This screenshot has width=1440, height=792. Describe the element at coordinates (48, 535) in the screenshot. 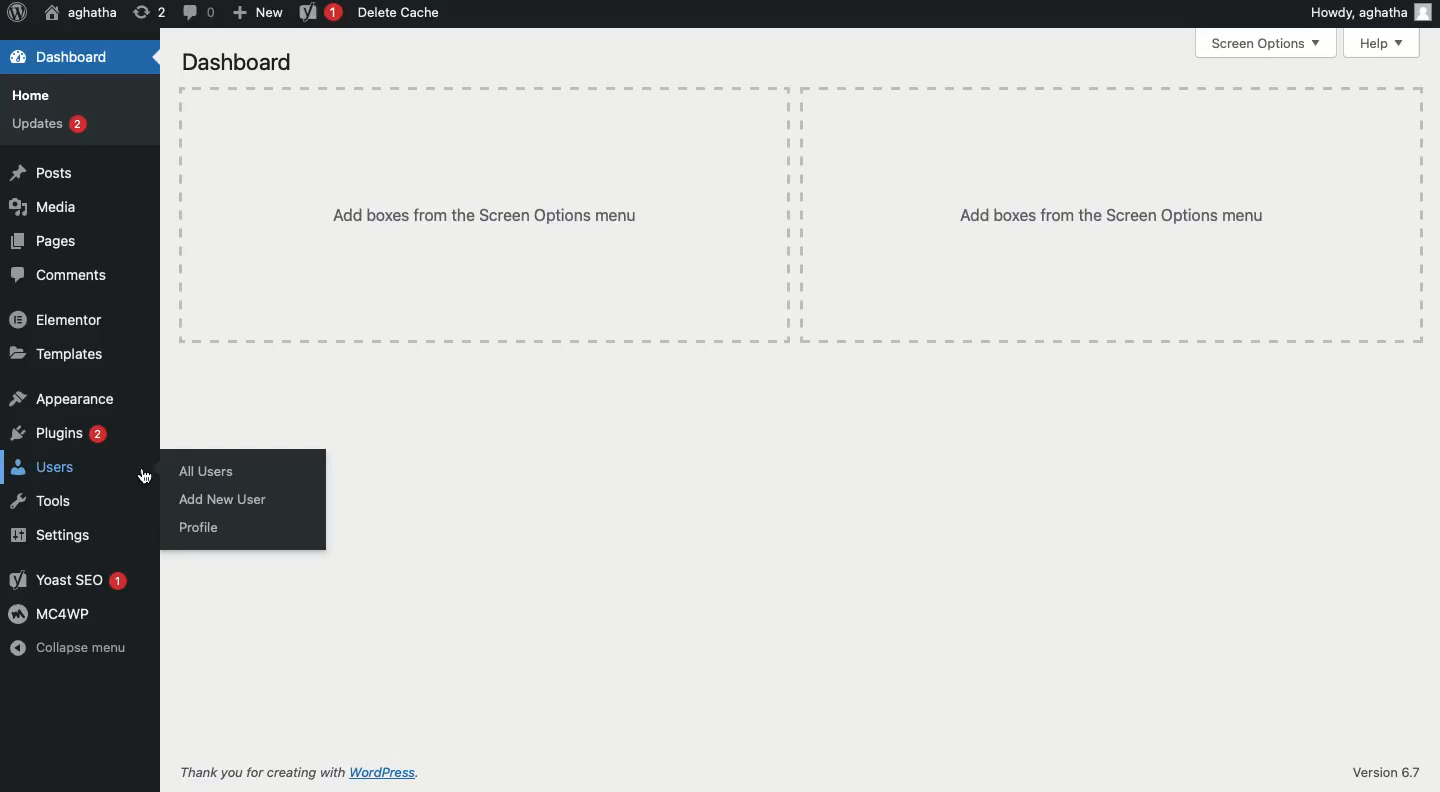

I see `Settings` at that location.